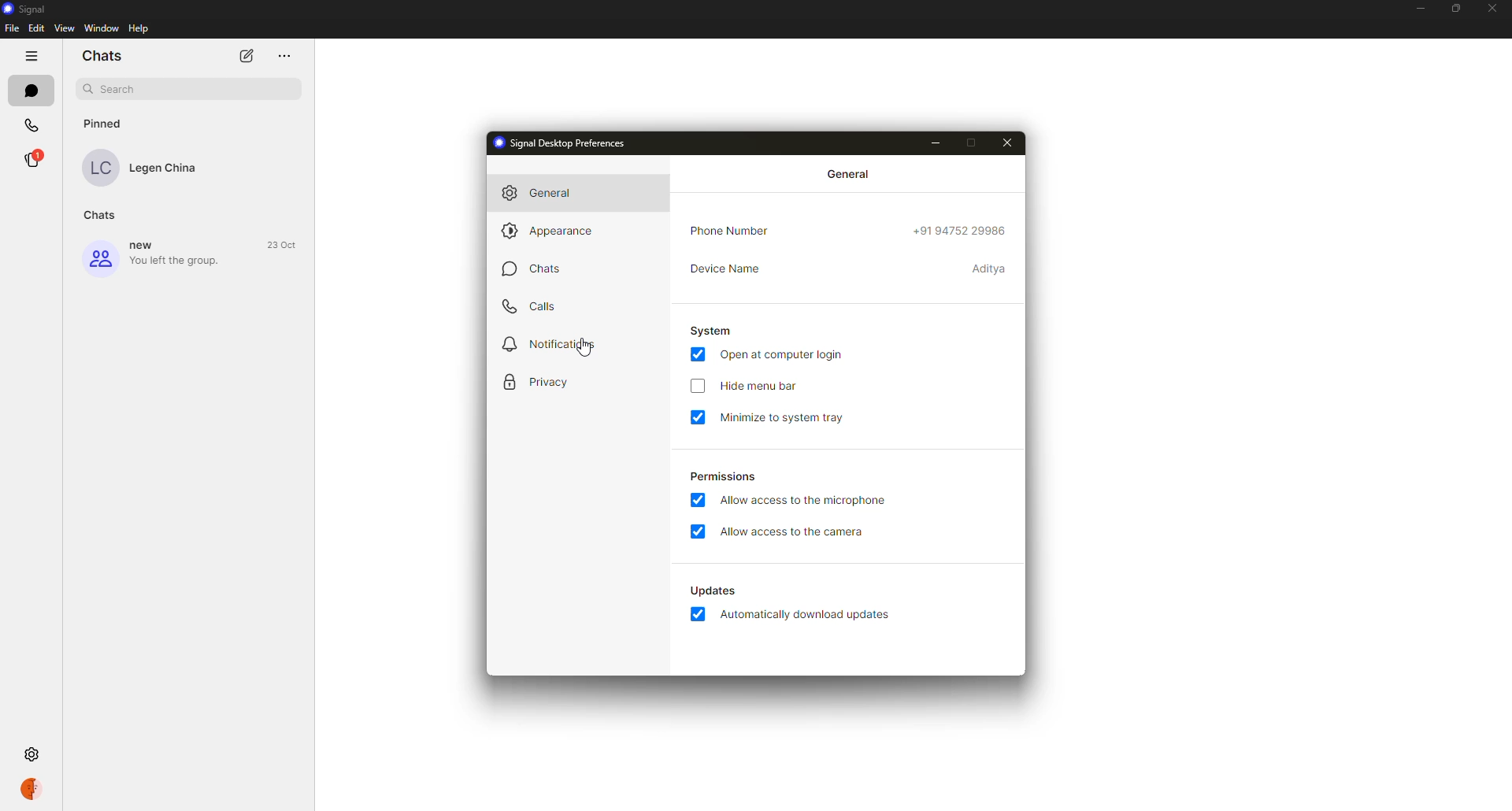 The height and width of the screenshot is (811, 1512). Describe the element at coordinates (65, 27) in the screenshot. I see `View` at that location.